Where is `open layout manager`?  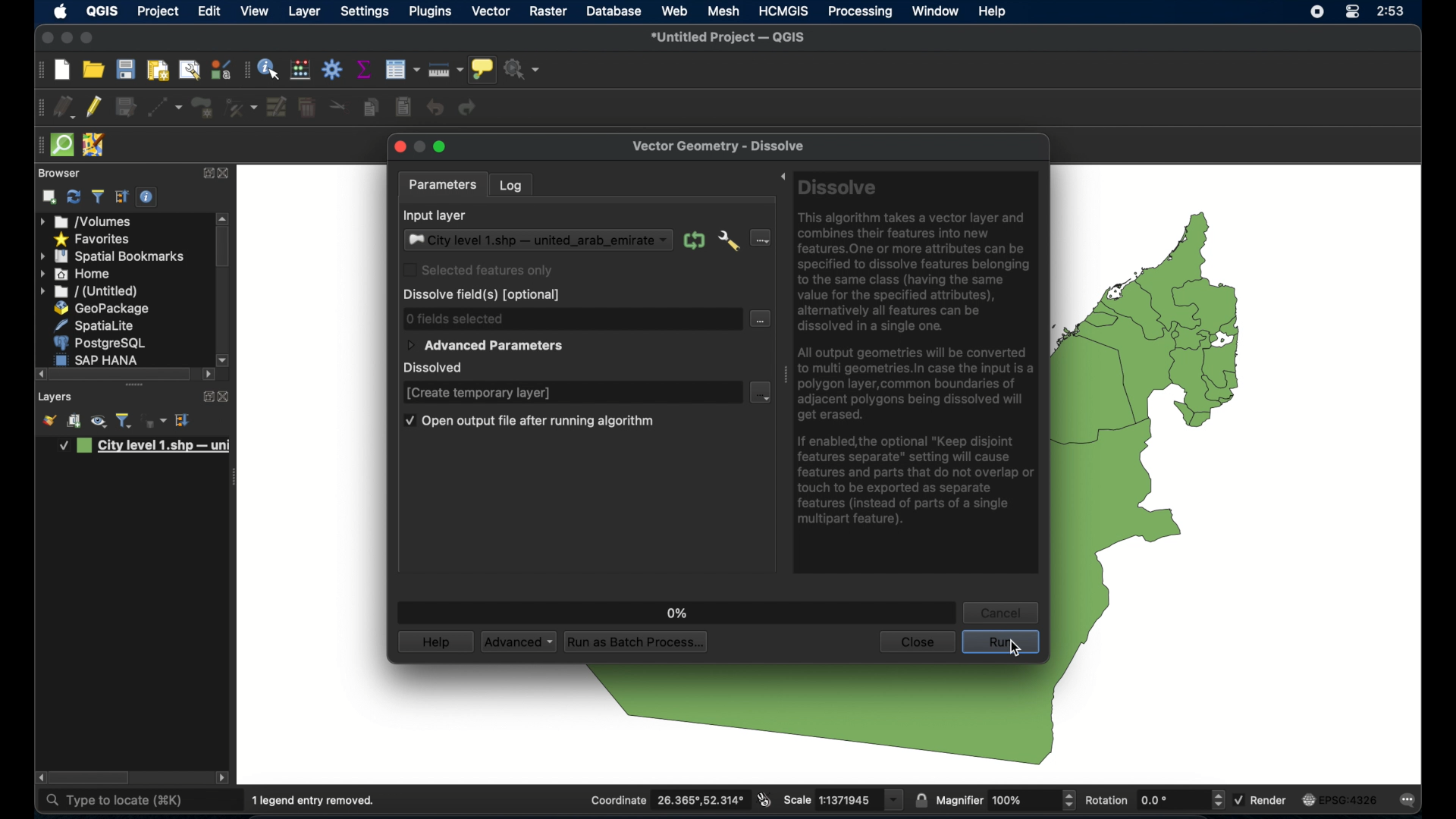
open layout manager is located at coordinates (188, 71).